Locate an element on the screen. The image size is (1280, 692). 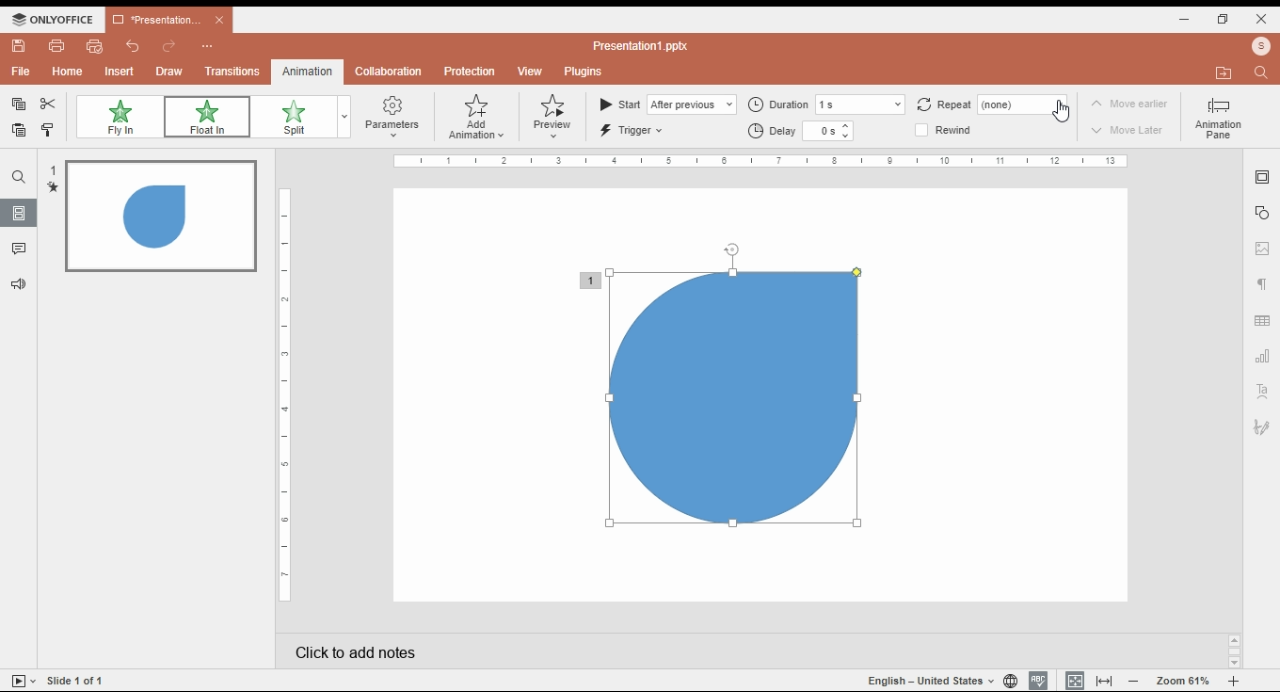
text art settings is located at coordinates (1262, 392).